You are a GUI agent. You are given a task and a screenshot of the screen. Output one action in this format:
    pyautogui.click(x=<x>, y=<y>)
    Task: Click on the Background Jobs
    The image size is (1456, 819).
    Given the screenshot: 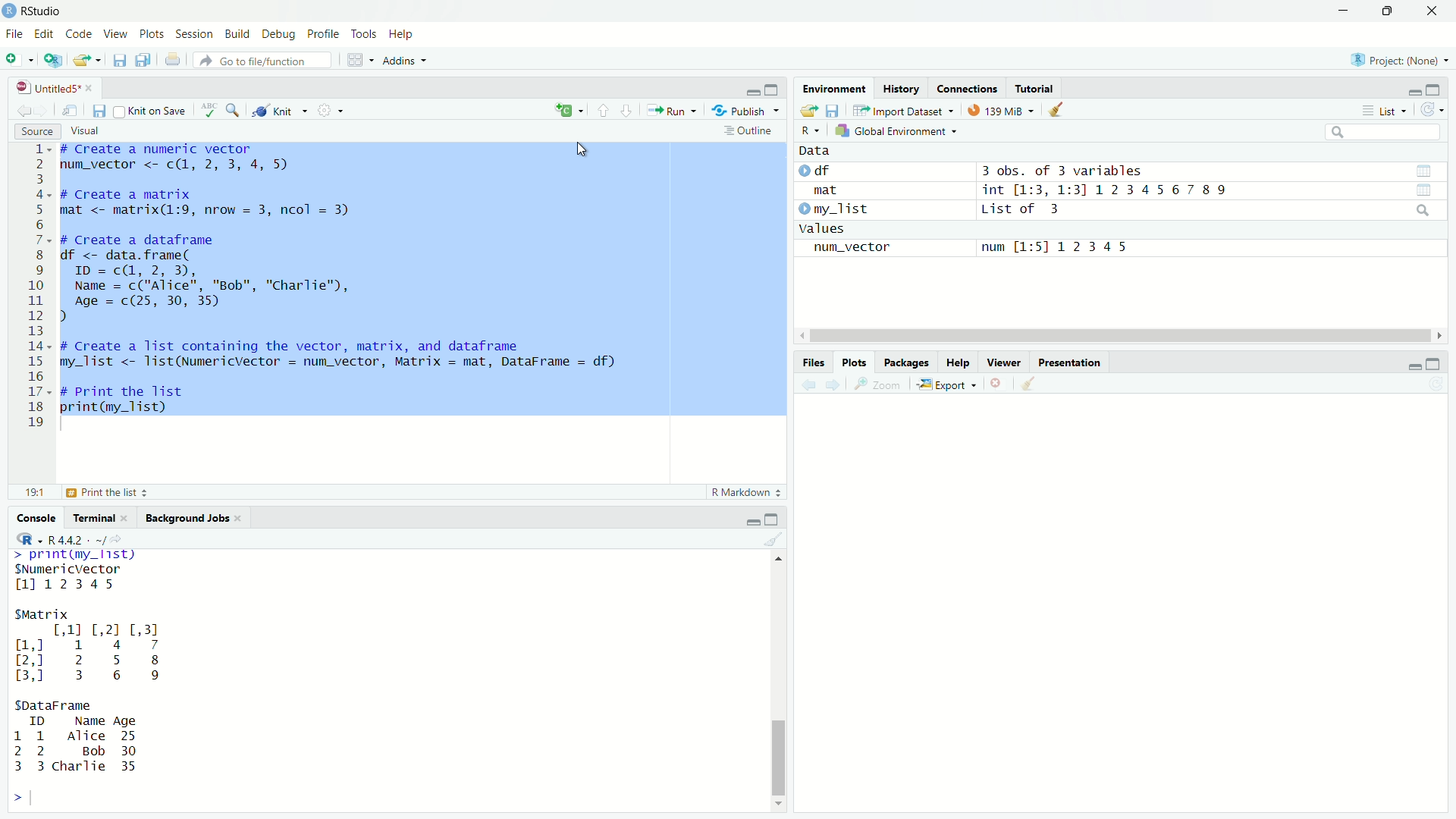 What is the action you would take?
    pyautogui.click(x=193, y=519)
    